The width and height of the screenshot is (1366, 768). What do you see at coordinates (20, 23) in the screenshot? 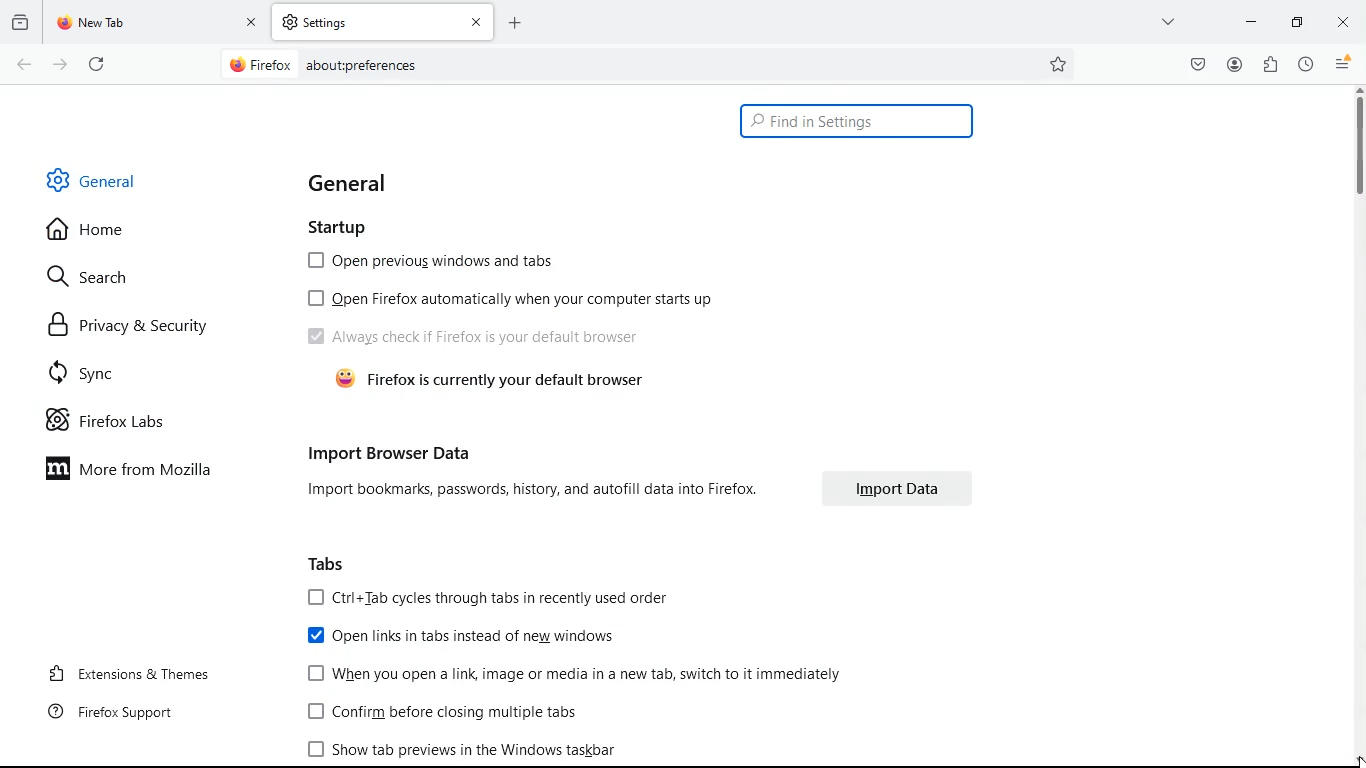
I see `history` at bounding box center [20, 23].